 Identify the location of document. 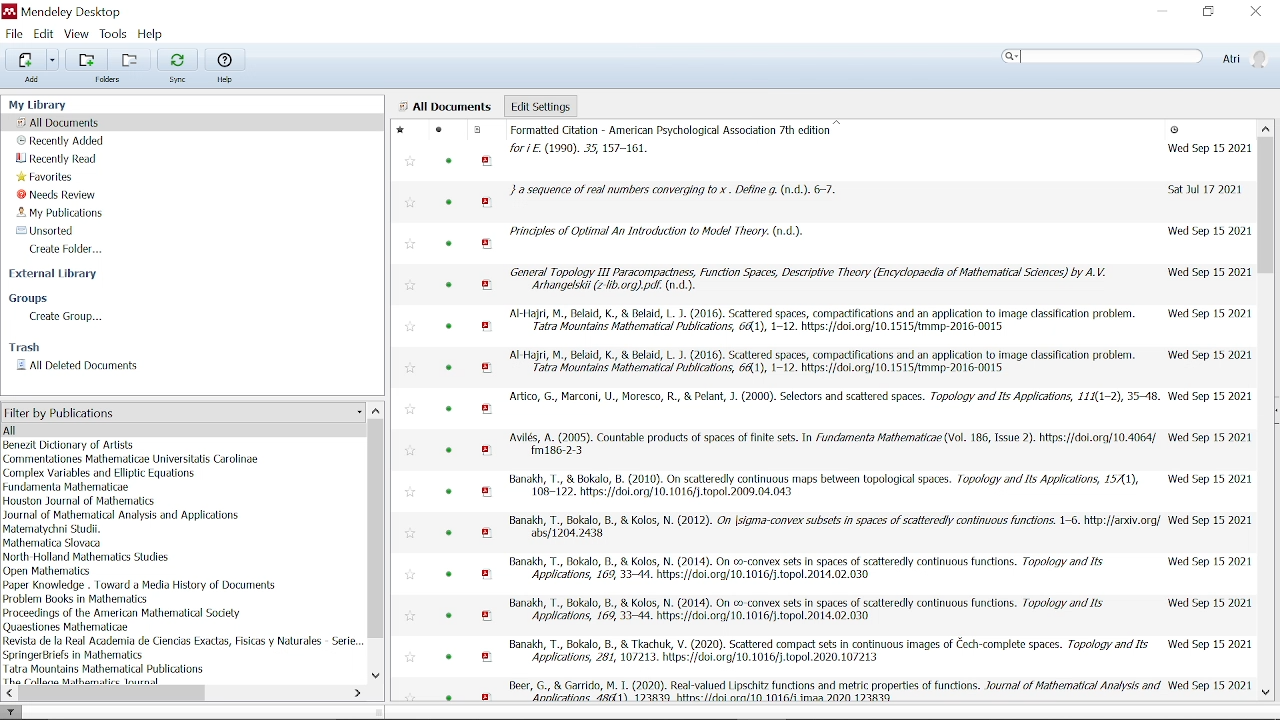
(477, 130).